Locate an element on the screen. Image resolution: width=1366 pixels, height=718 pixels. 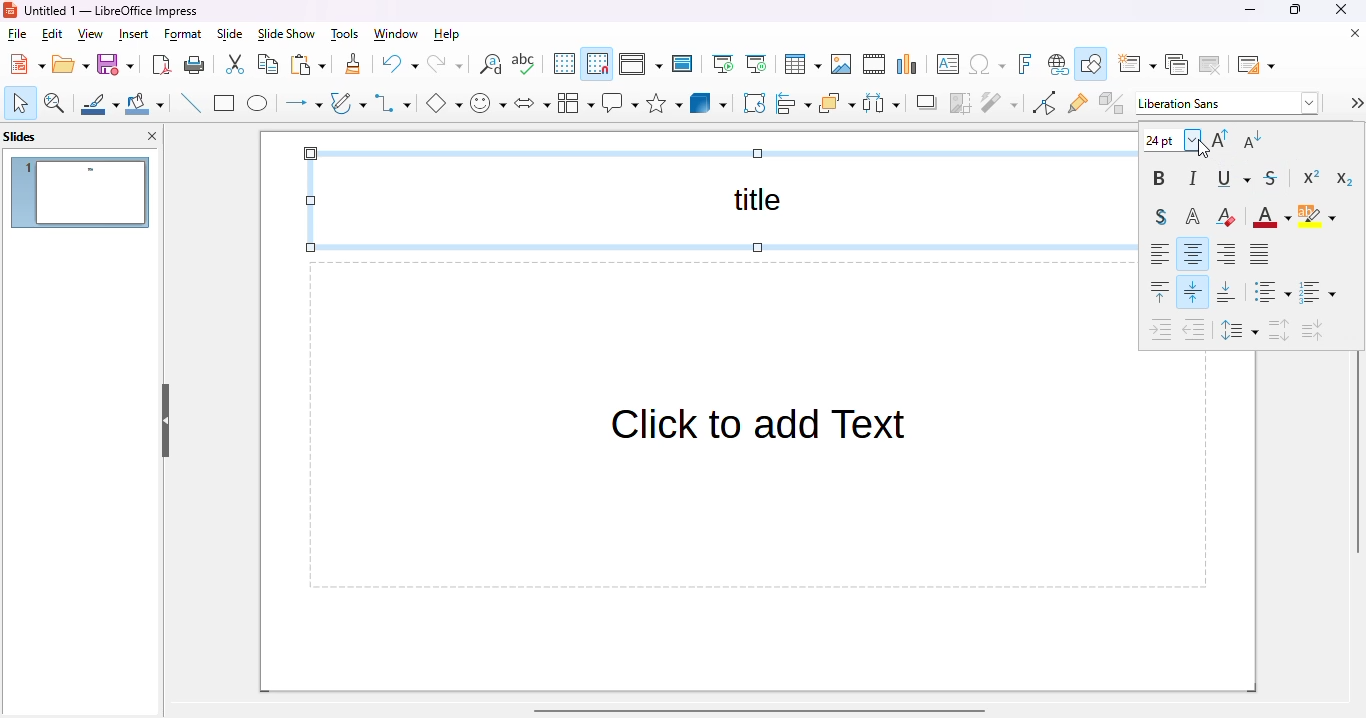
callout shapes is located at coordinates (620, 103).